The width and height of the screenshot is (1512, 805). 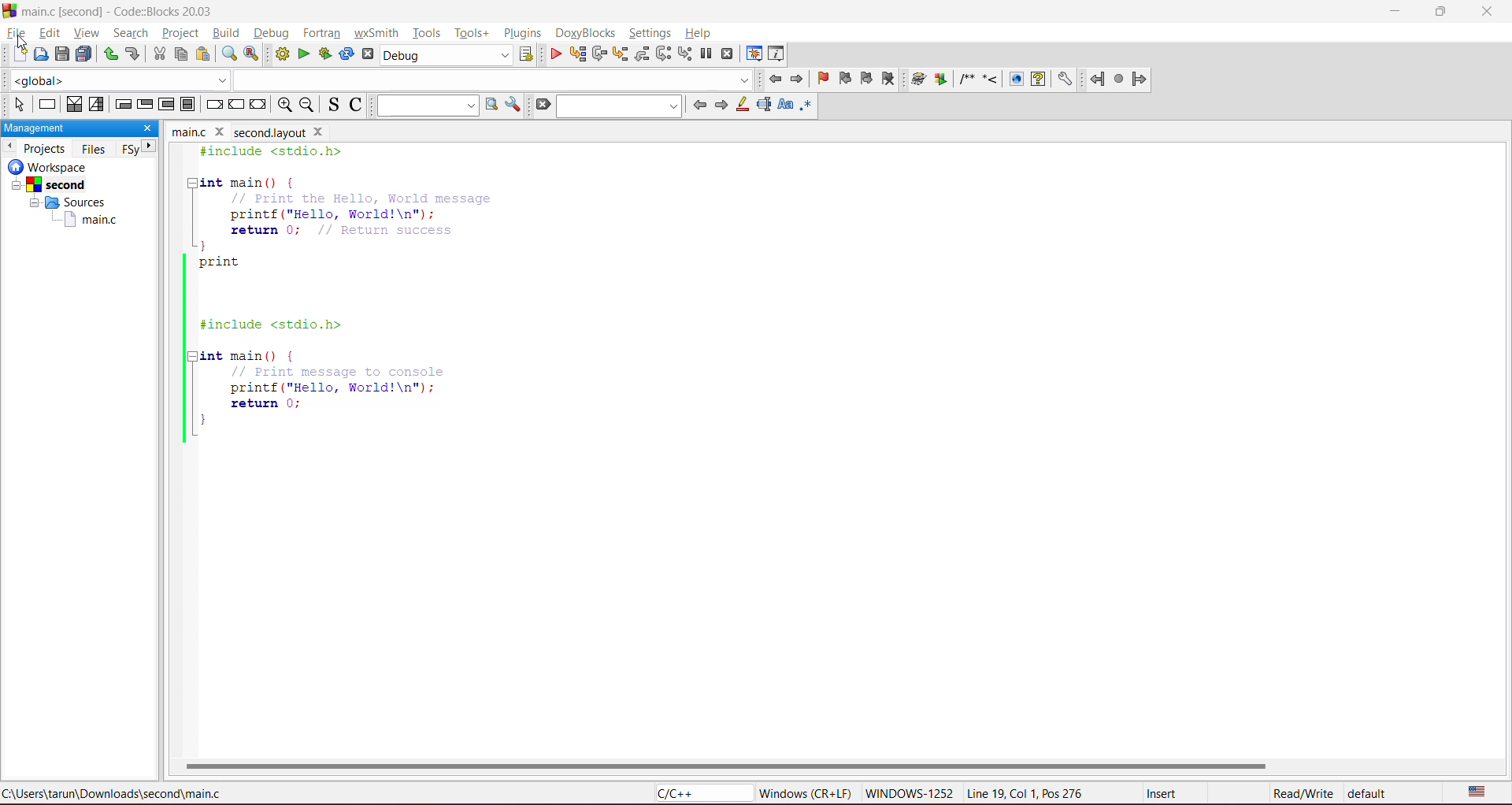 I want to click on new, so click(x=14, y=57).